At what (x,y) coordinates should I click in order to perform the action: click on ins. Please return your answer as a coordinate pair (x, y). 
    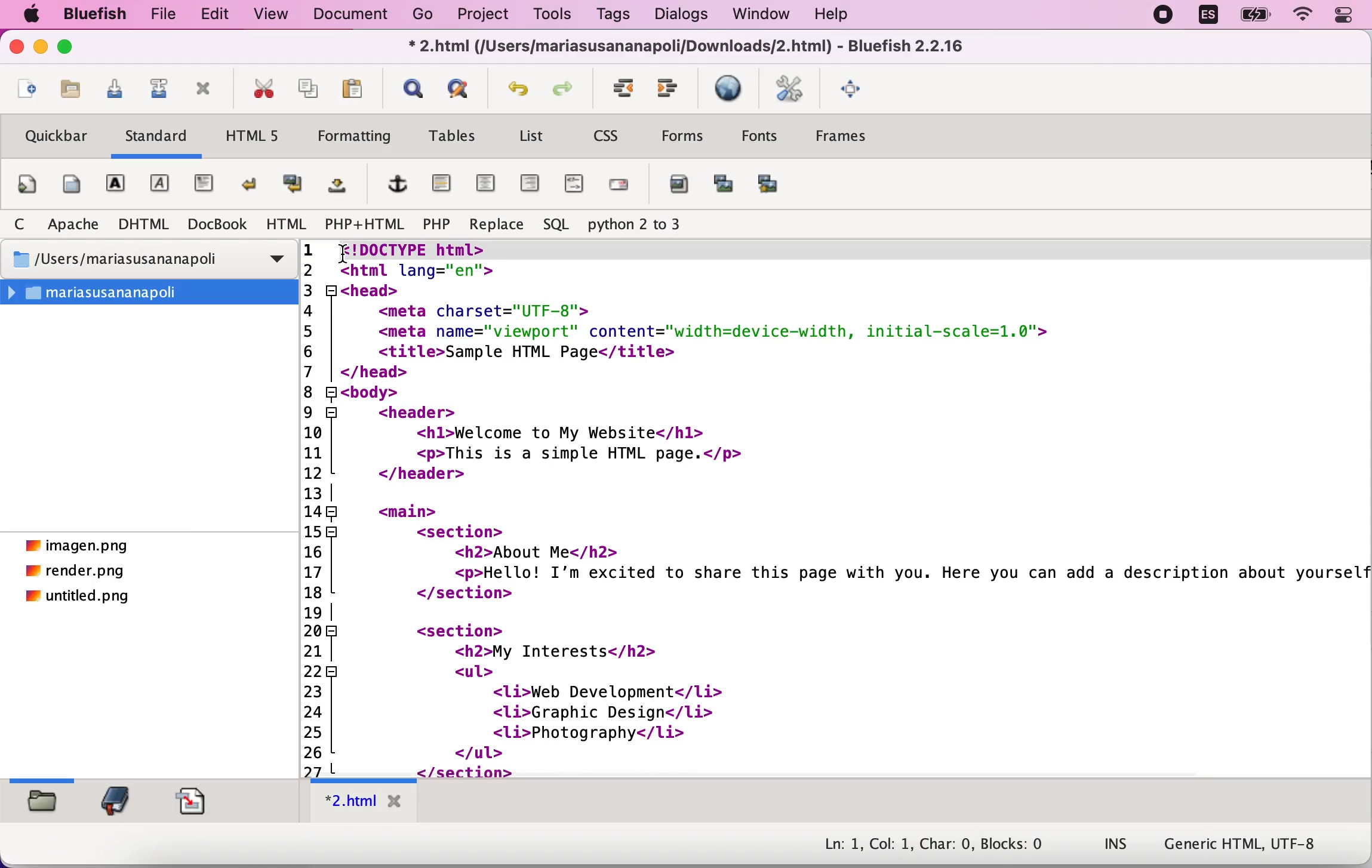
    Looking at the image, I should click on (1118, 844).